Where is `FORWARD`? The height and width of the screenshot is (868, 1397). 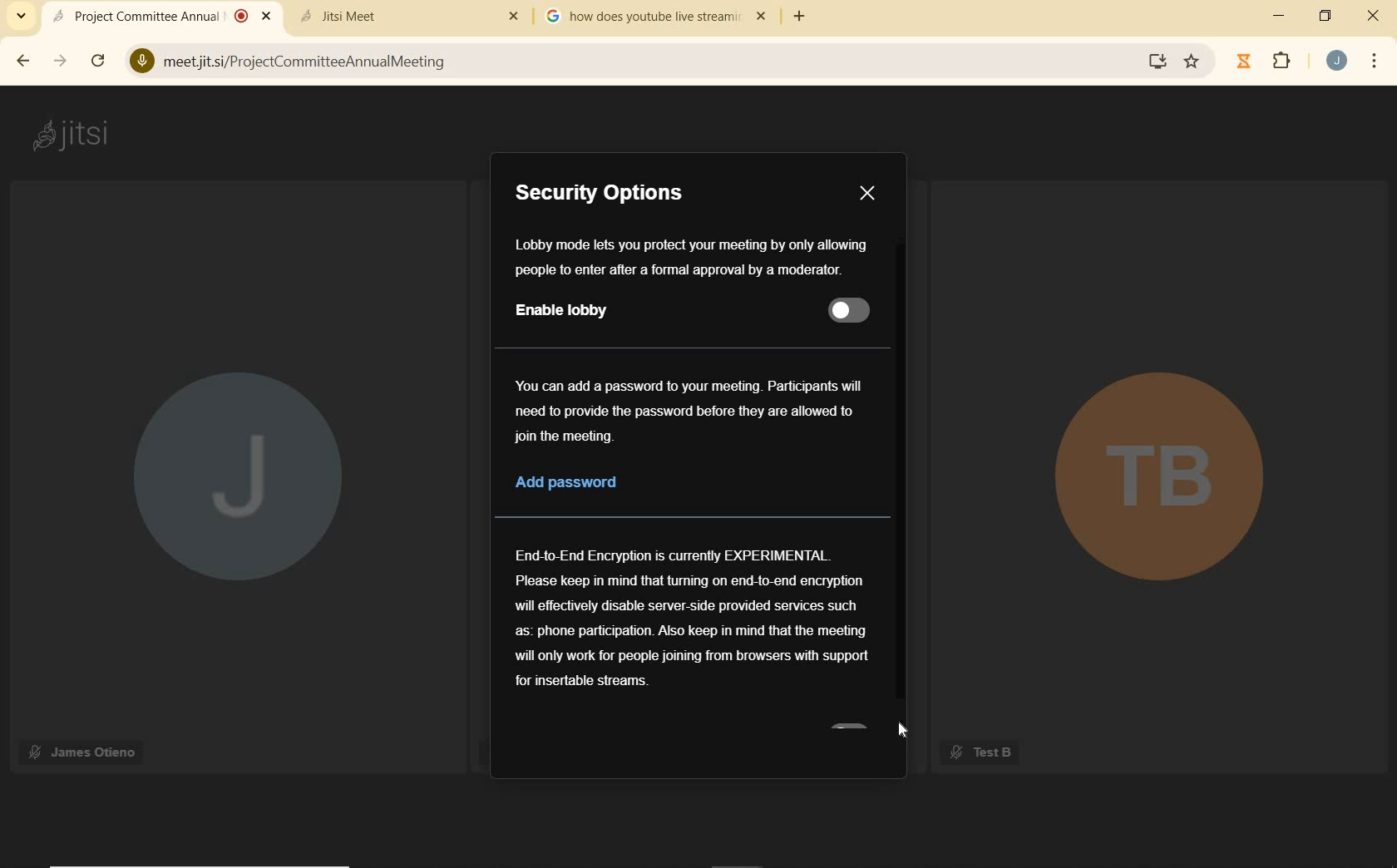
FORWARD is located at coordinates (57, 62).